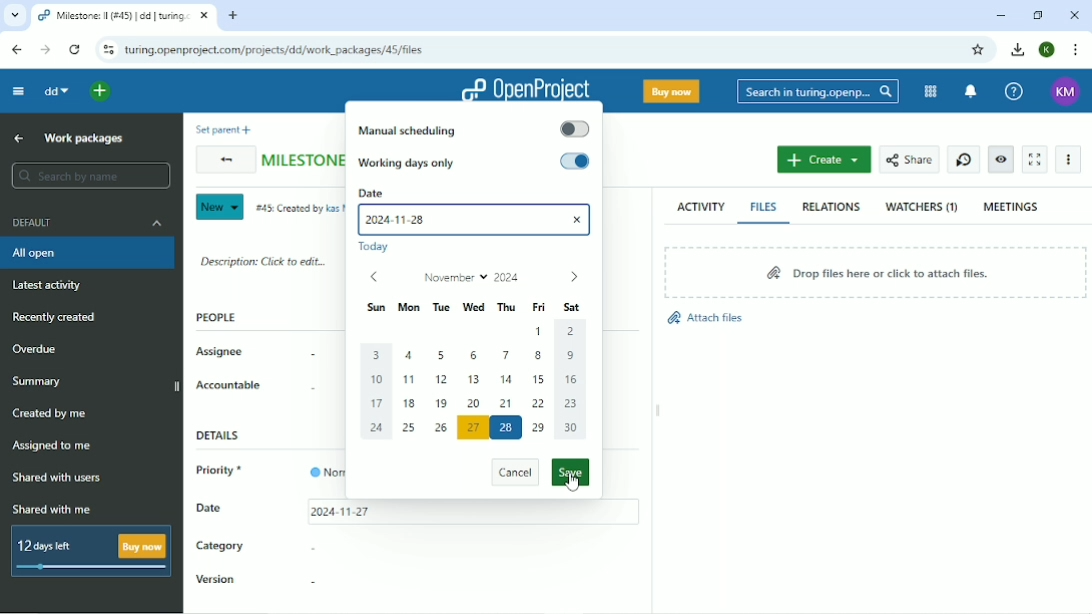  Describe the element at coordinates (1048, 50) in the screenshot. I see `K` at that location.